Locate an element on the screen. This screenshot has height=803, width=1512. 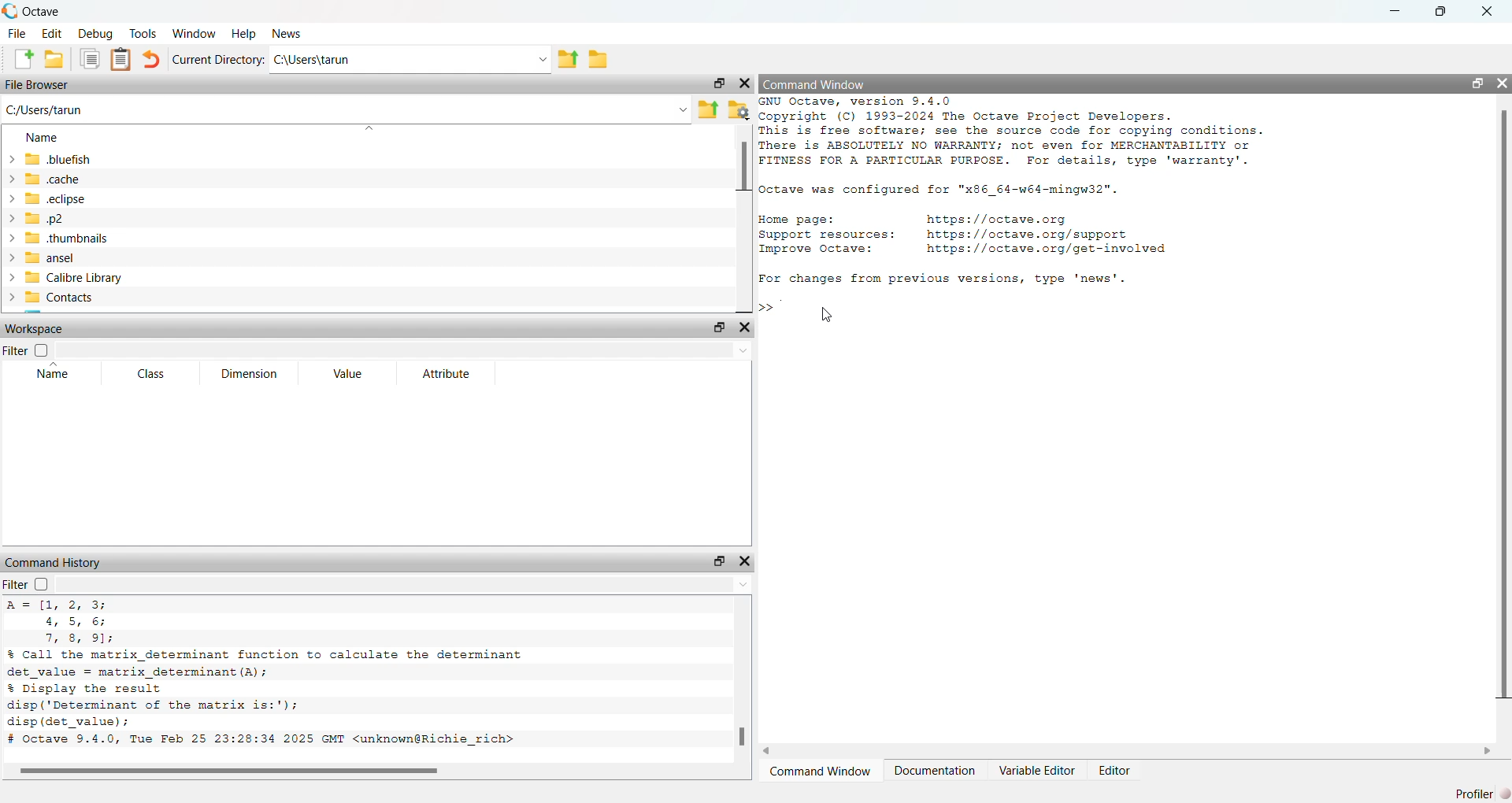
Editor is located at coordinates (1117, 770).